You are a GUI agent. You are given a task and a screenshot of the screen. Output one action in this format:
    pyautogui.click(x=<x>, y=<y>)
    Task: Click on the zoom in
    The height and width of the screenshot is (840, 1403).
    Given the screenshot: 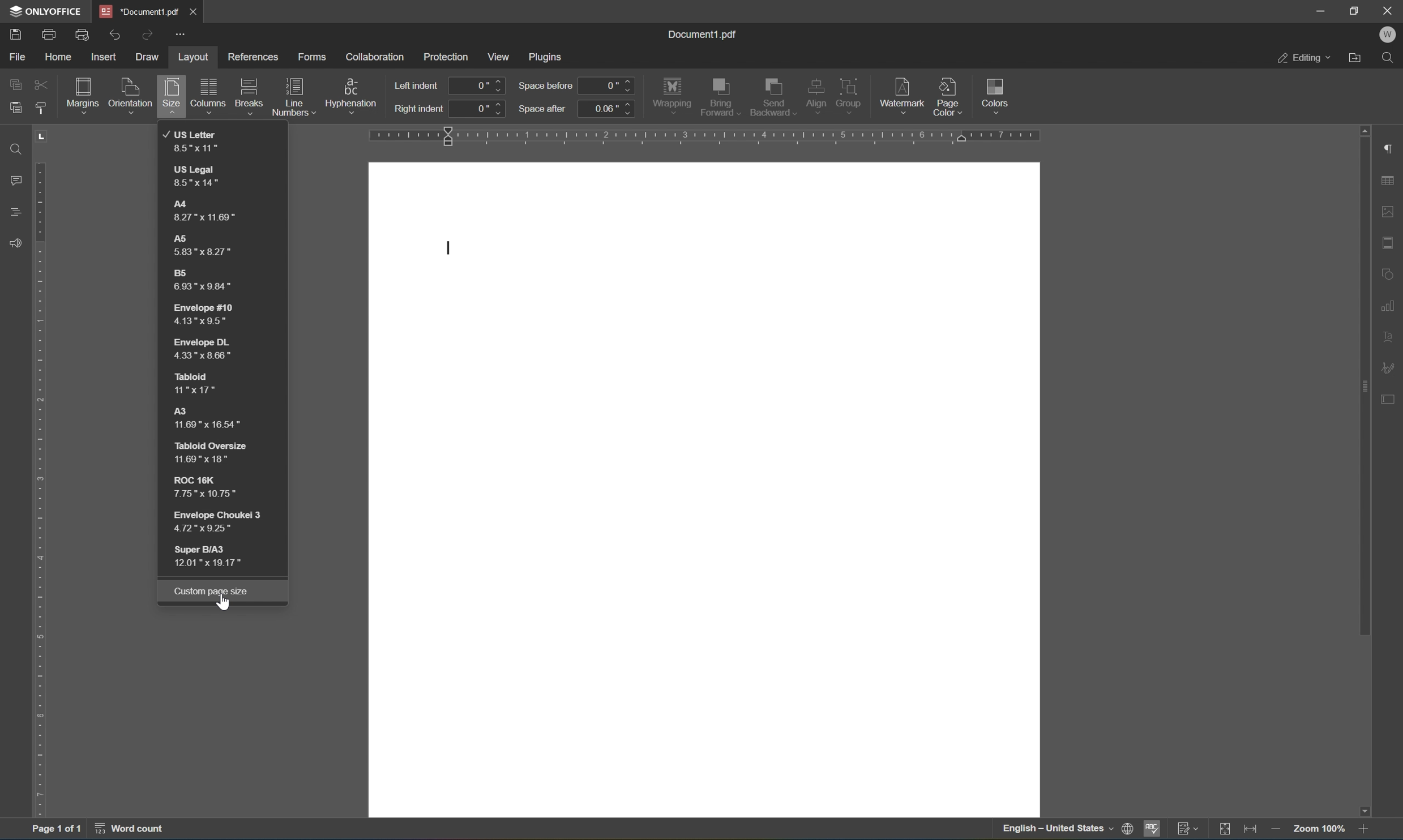 What is the action you would take?
    pyautogui.click(x=1362, y=830)
    